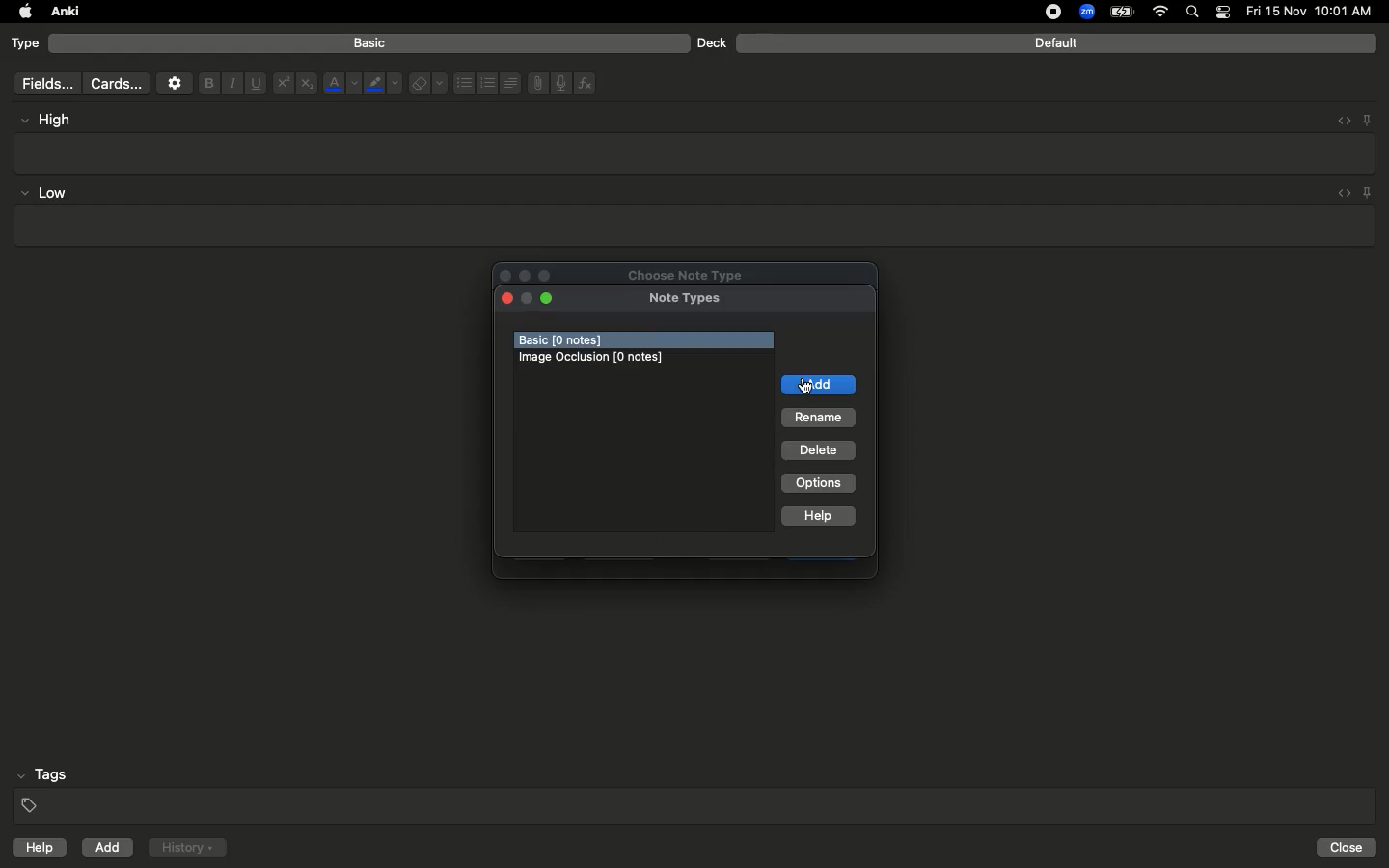  Describe the element at coordinates (1223, 13) in the screenshot. I see `Notification bar` at that location.